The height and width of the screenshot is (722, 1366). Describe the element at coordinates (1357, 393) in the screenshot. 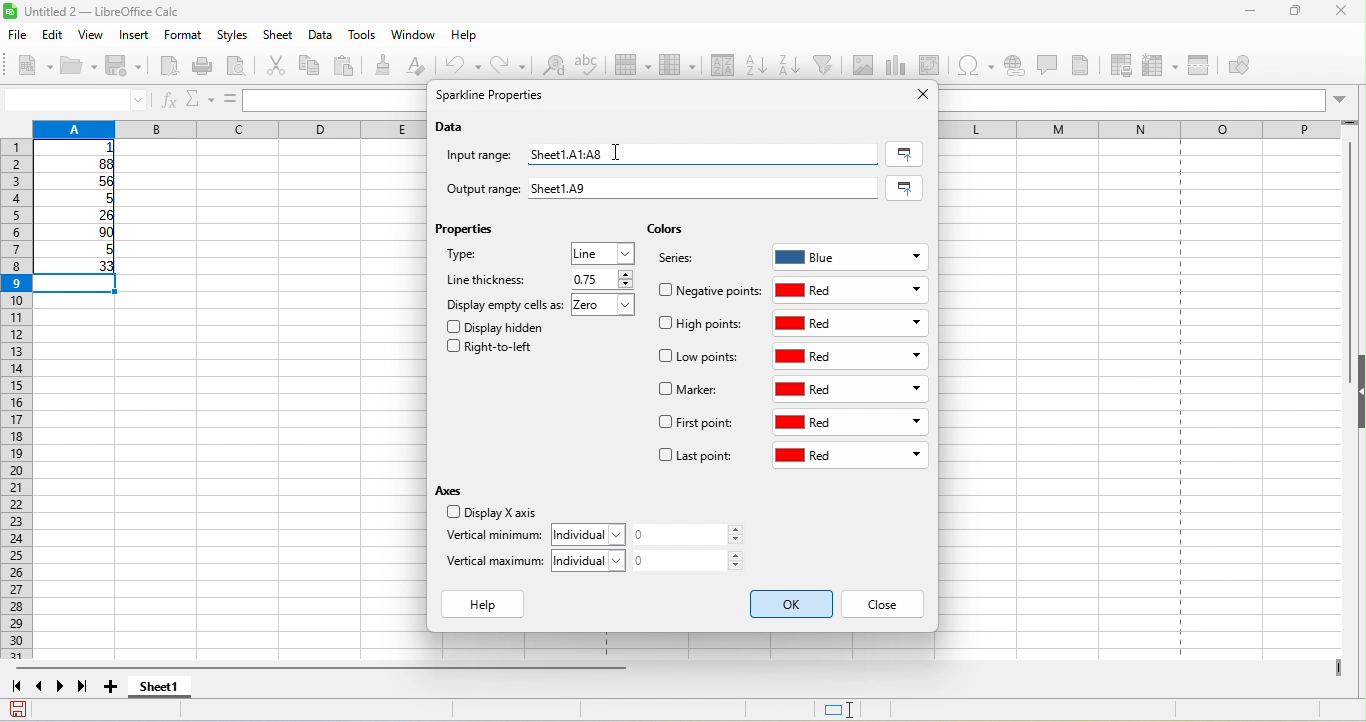

I see `hide` at that location.